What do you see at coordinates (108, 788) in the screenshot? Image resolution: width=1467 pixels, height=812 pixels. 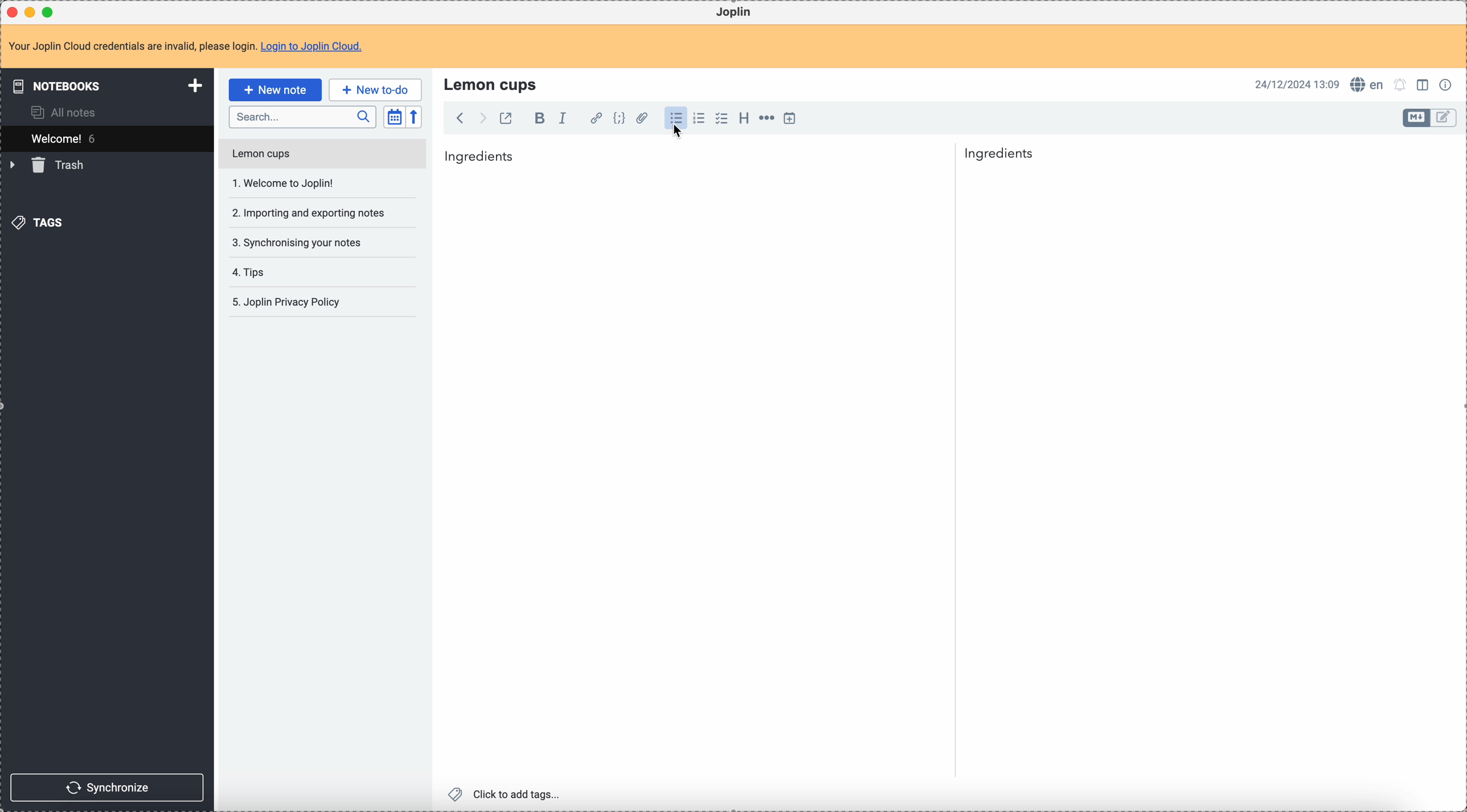 I see `synchronize` at bounding box center [108, 788].